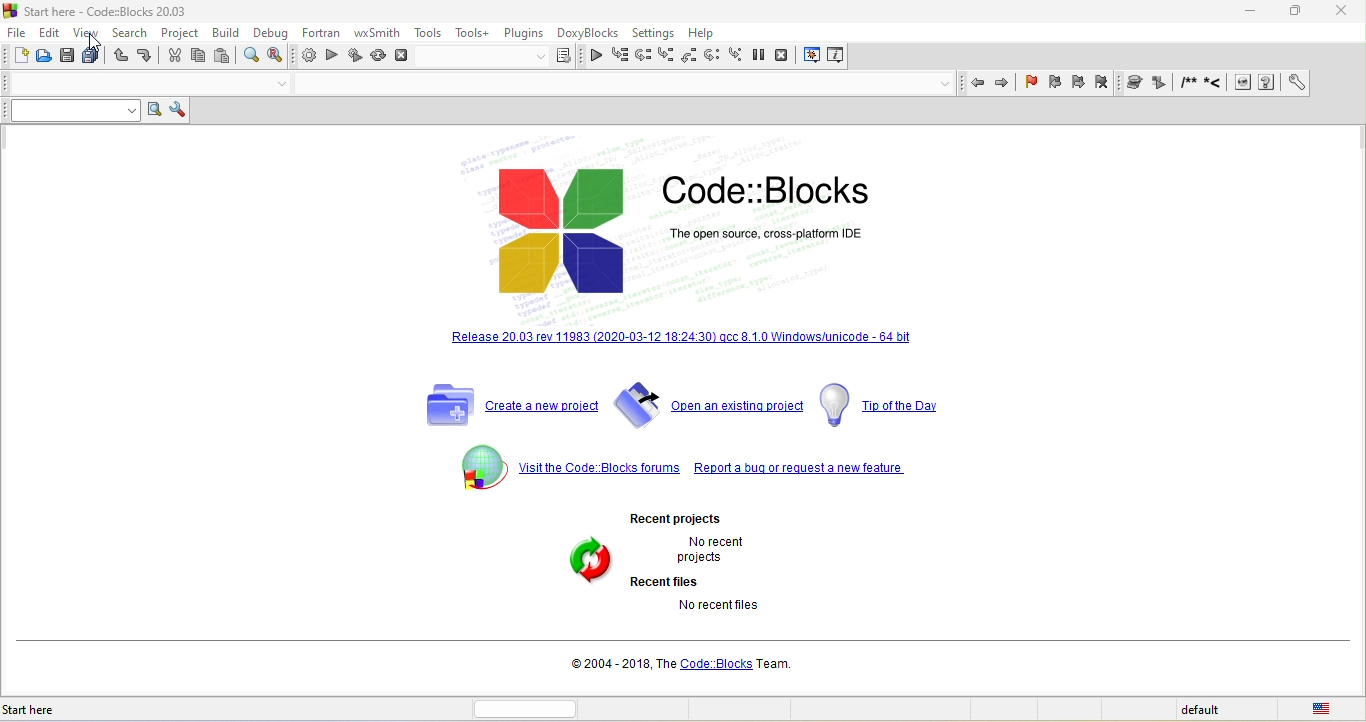 The height and width of the screenshot is (722, 1366). What do you see at coordinates (304, 57) in the screenshot?
I see `build` at bounding box center [304, 57].